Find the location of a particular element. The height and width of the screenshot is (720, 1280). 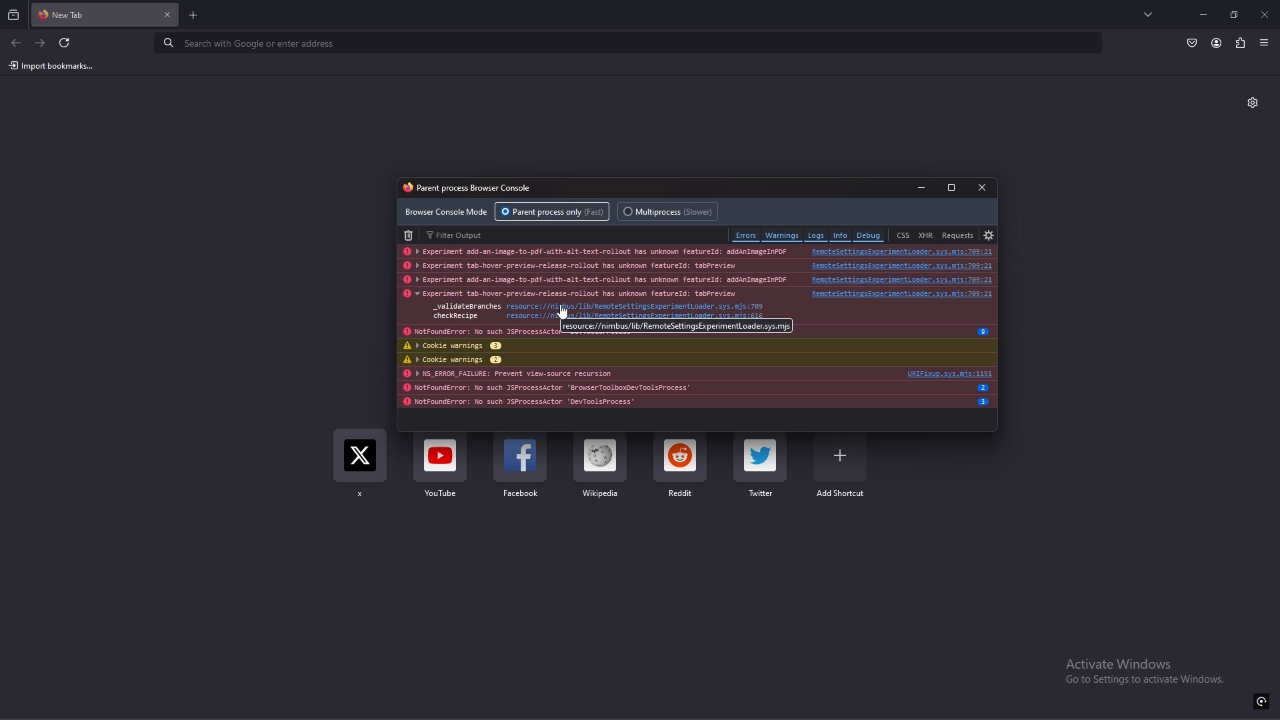

source is located at coordinates (600, 305).